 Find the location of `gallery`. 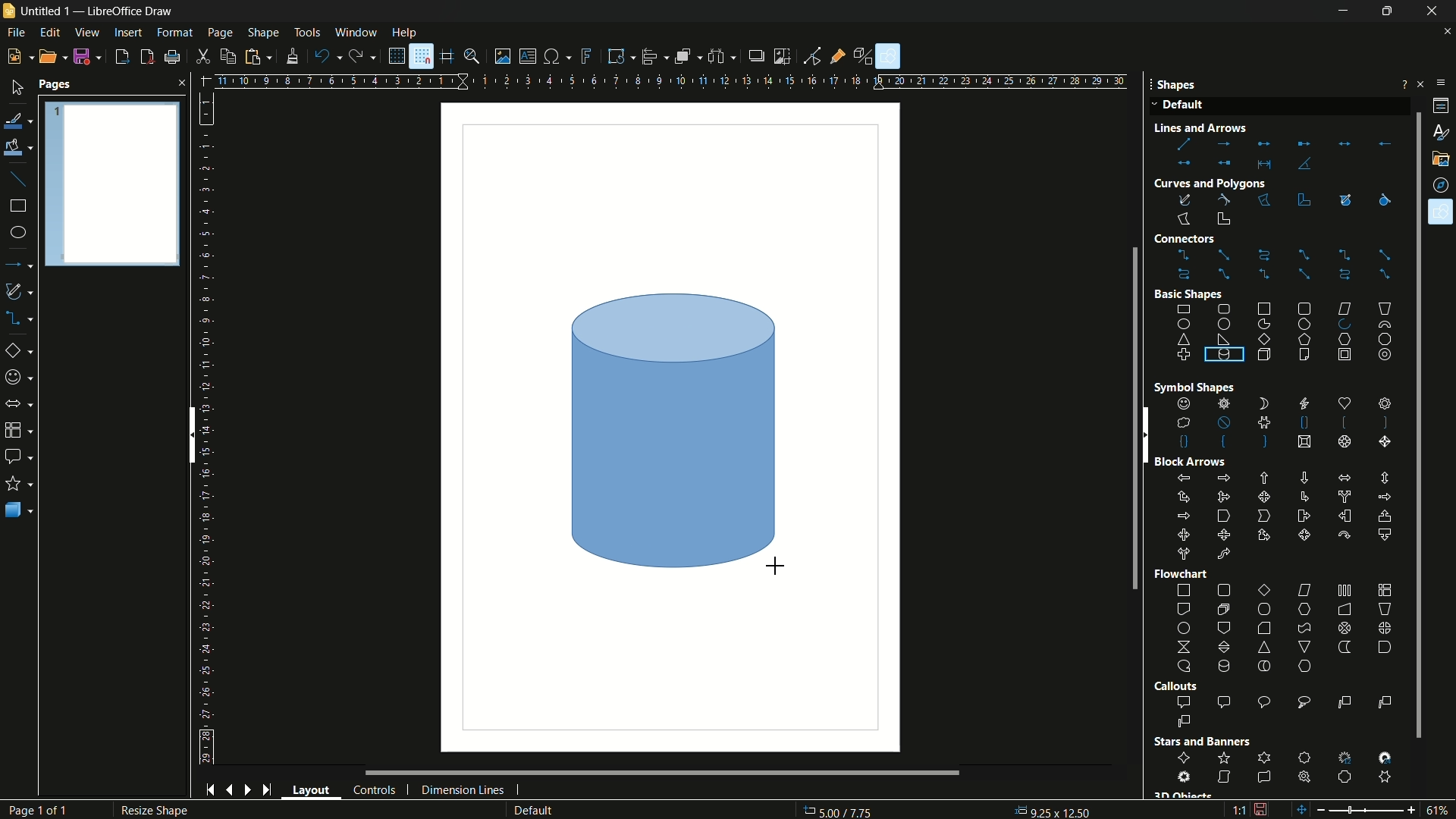

gallery is located at coordinates (1442, 159).